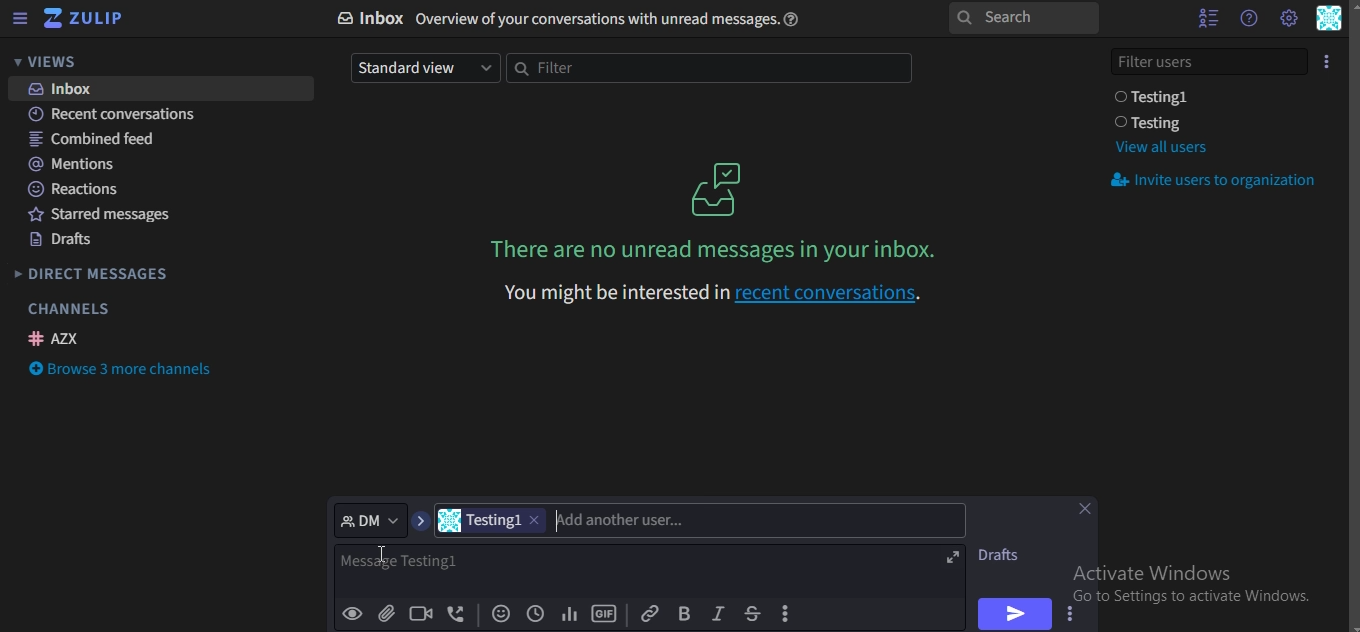 The image size is (1360, 632). What do you see at coordinates (1074, 613) in the screenshot?
I see `` at bounding box center [1074, 613].